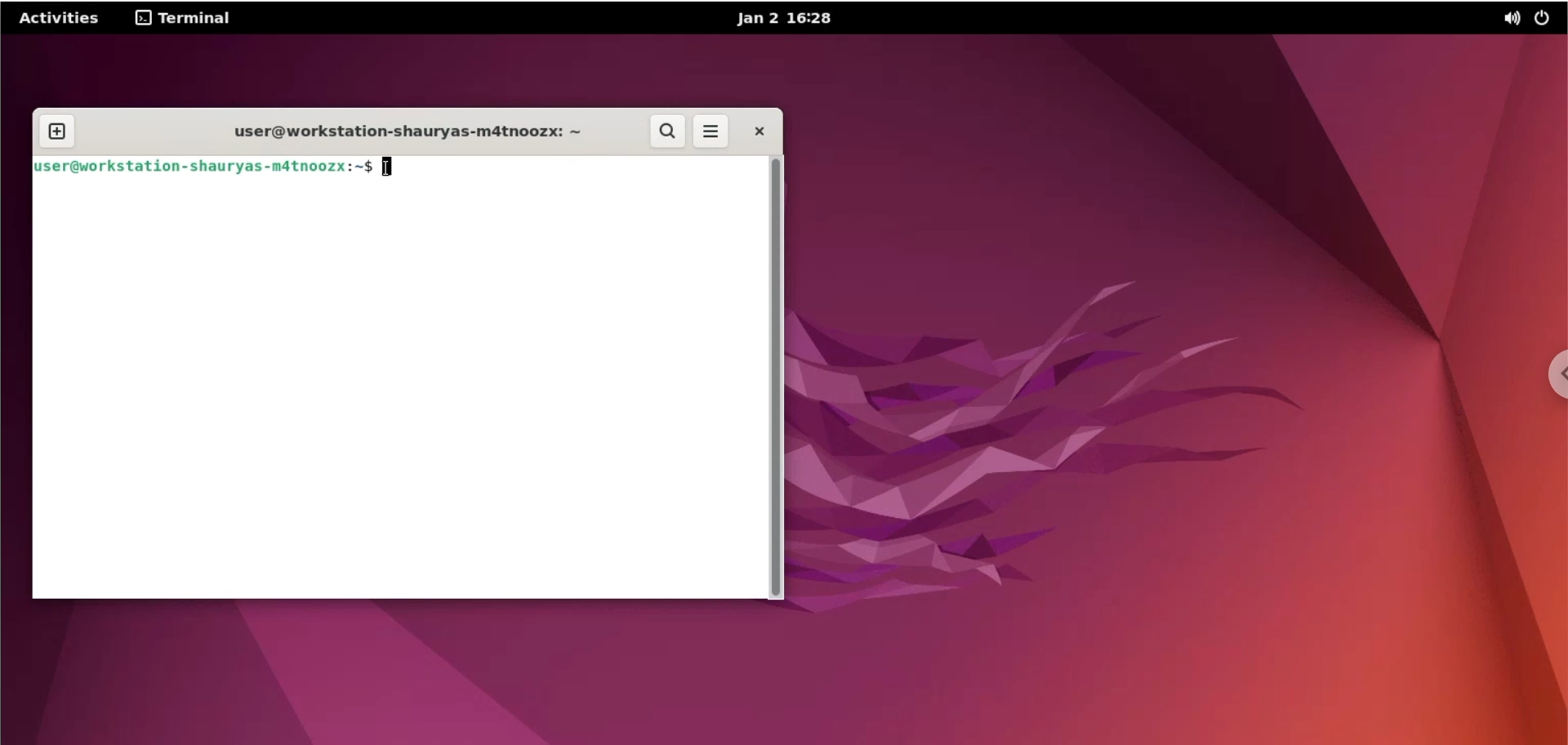  What do you see at coordinates (184, 20) in the screenshot?
I see `terminal` at bounding box center [184, 20].